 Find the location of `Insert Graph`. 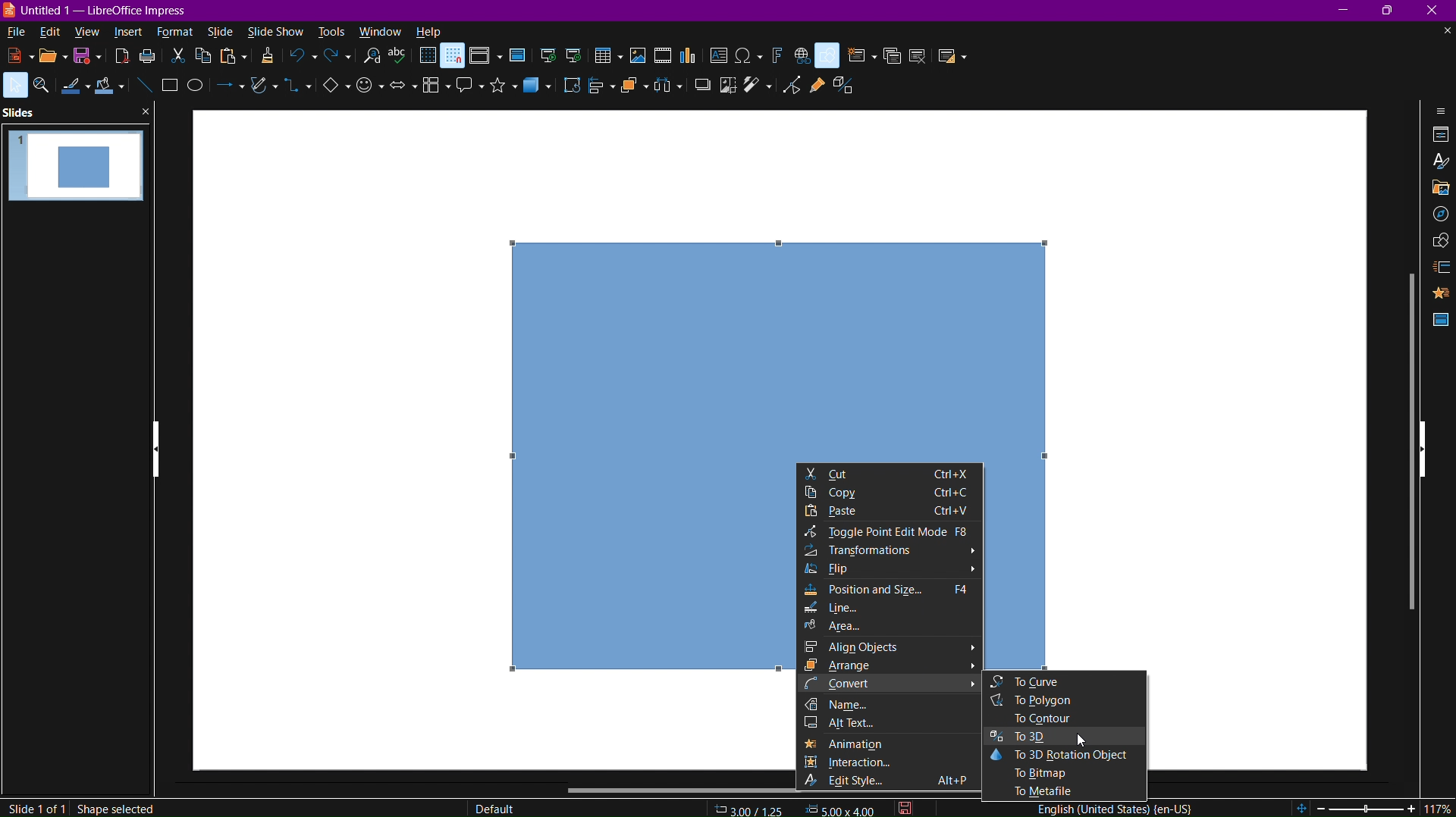

Insert Graph is located at coordinates (689, 57).